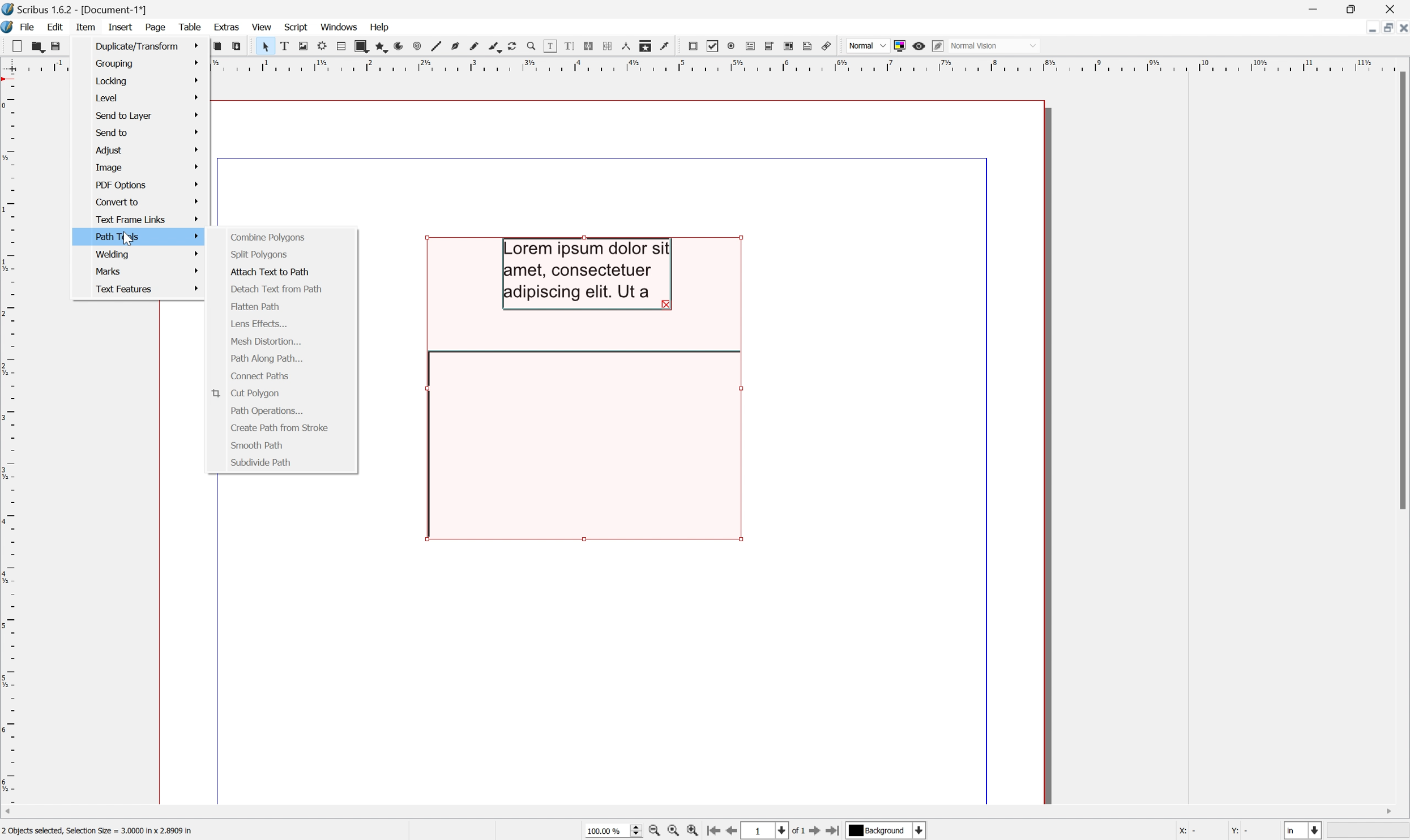 The image size is (1410, 840). What do you see at coordinates (700, 813) in the screenshot?
I see `Scroll` at bounding box center [700, 813].